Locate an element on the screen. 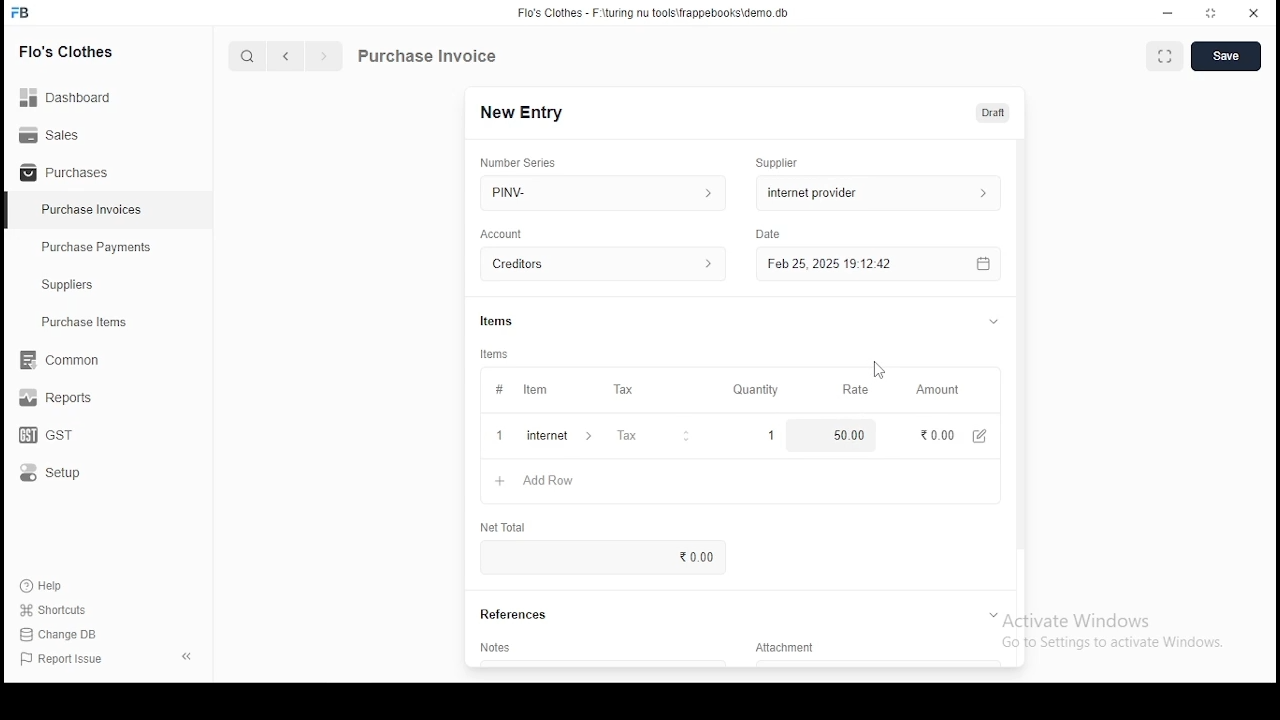 Image resolution: width=1280 pixels, height=720 pixels. add row is located at coordinates (551, 436).